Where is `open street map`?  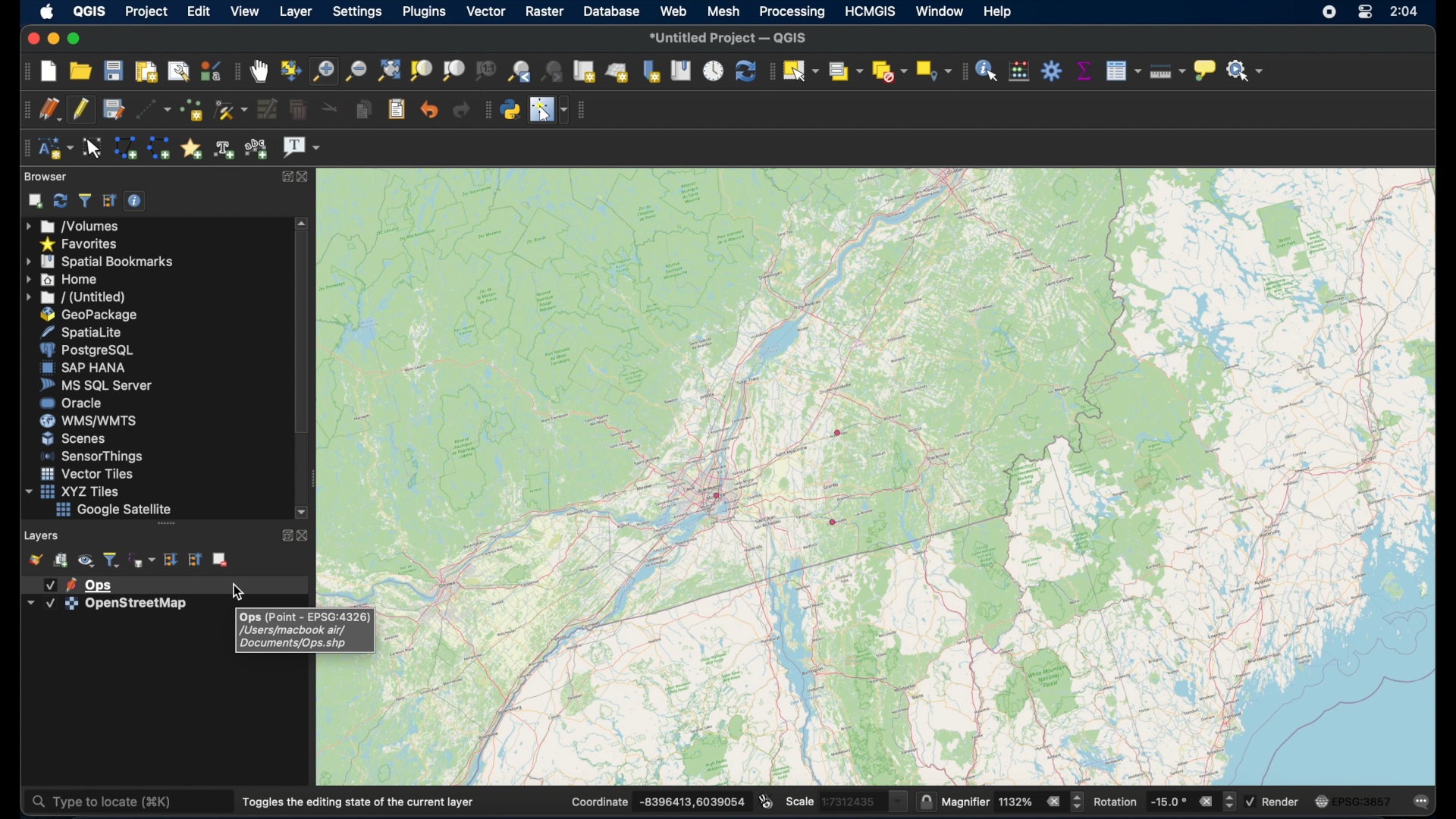
open street map is located at coordinates (711, 520).